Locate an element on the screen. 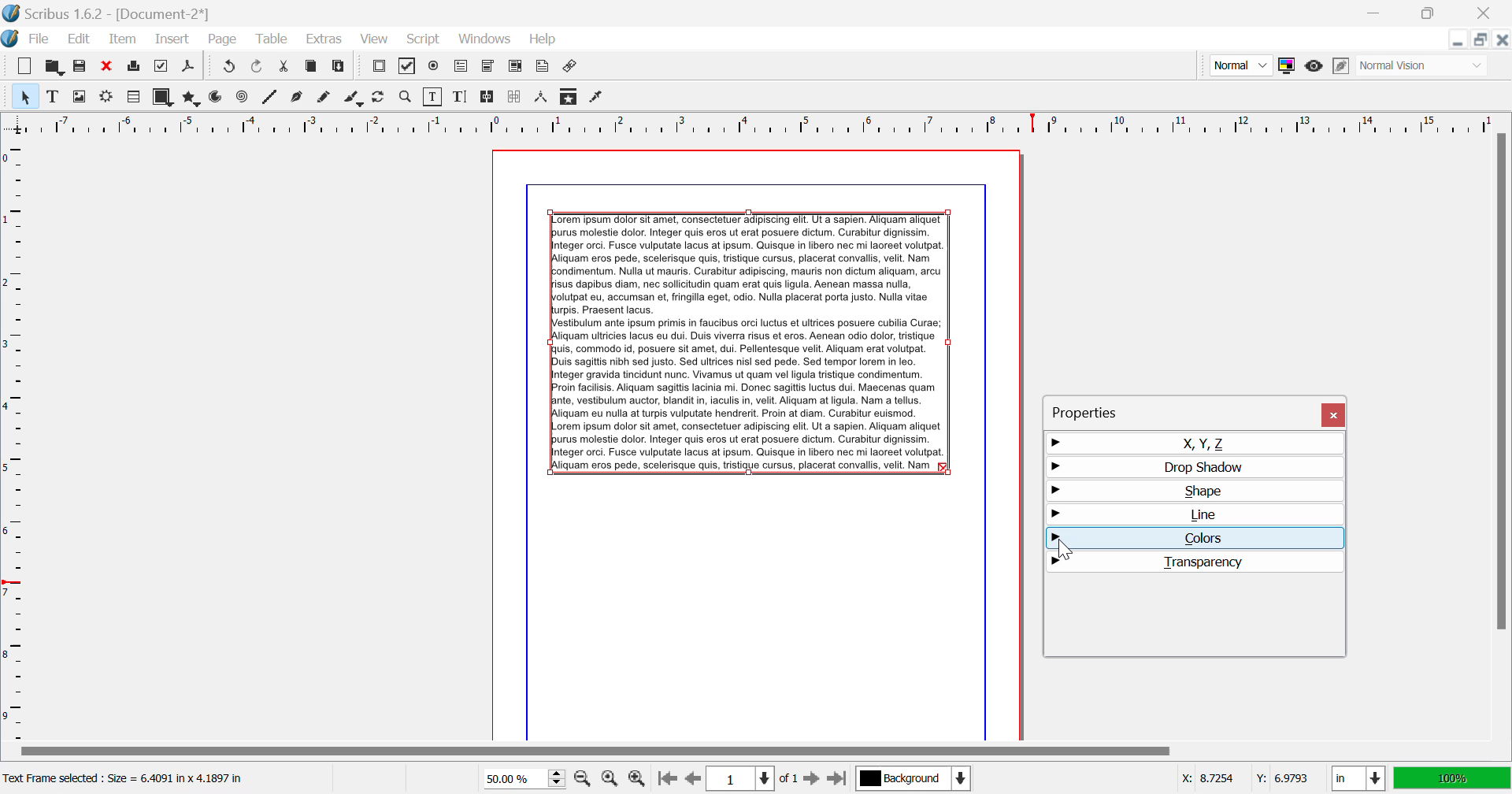 The height and width of the screenshot is (794, 1512). Spiral is located at coordinates (242, 98).